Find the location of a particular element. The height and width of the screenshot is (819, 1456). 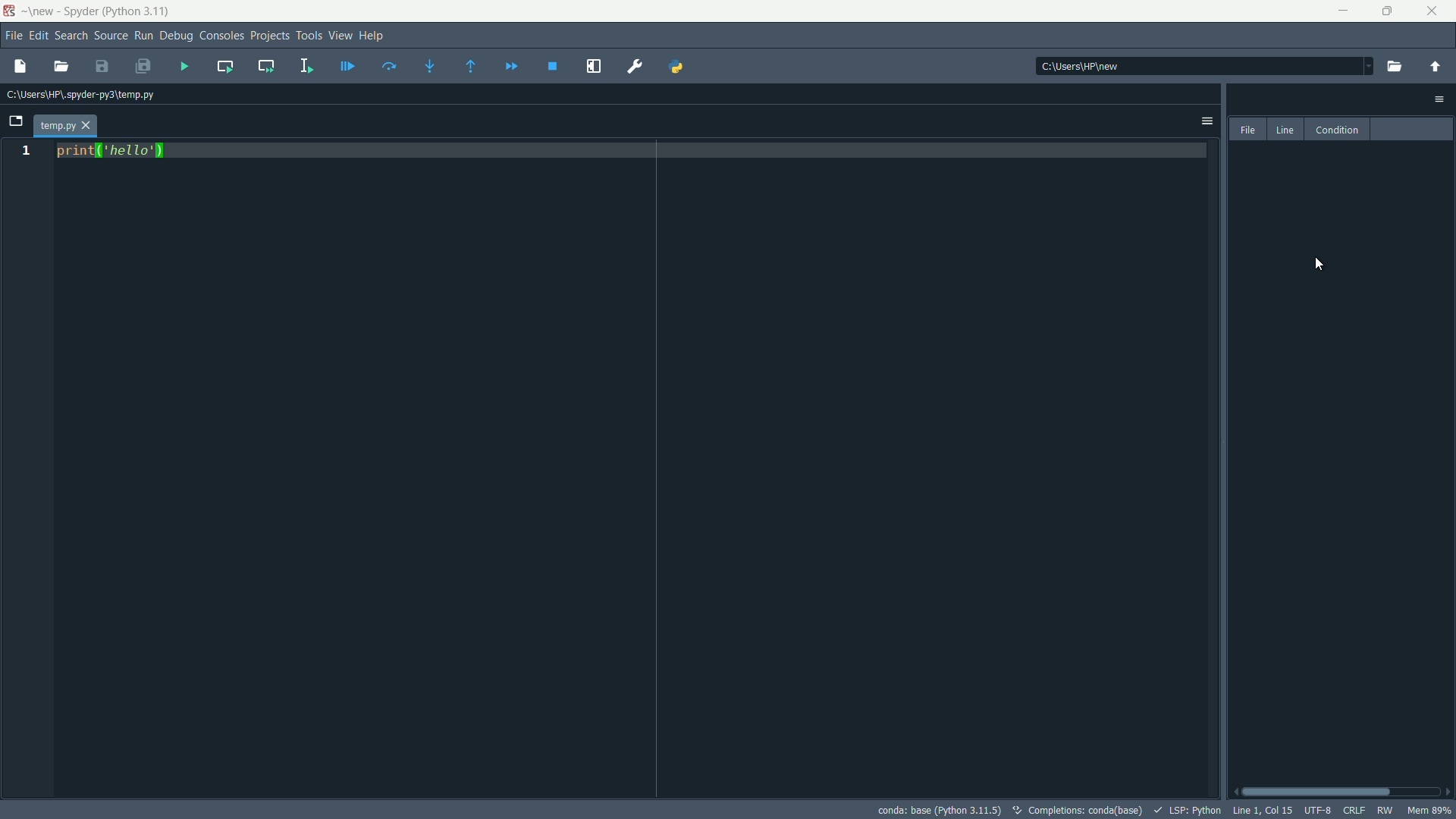

stop debugging is located at coordinates (551, 67).